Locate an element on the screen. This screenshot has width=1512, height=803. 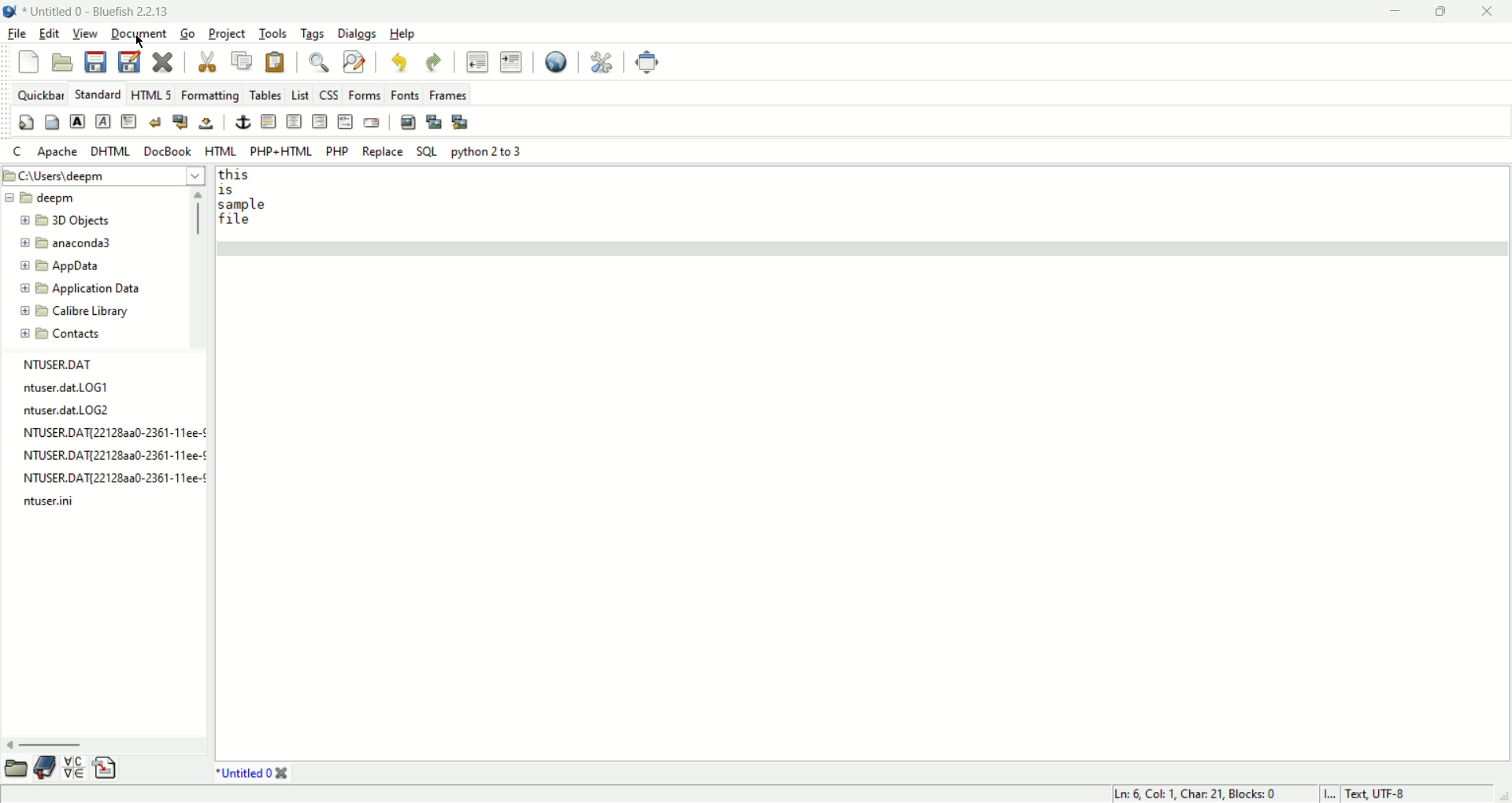
DocBOOK is located at coordinates (169, 150).